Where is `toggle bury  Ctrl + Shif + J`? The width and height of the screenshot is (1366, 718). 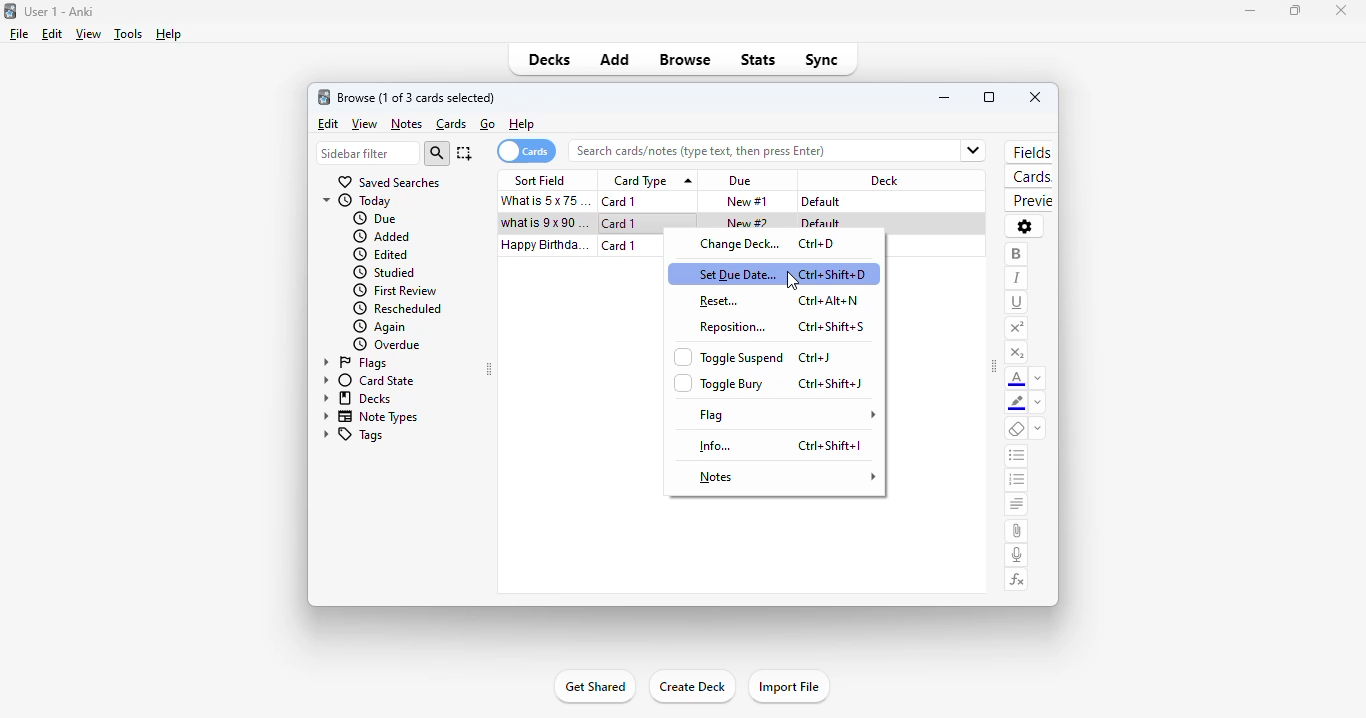
toggle bury  Ctrl + Shif + J is located at coordinates (775, 383).